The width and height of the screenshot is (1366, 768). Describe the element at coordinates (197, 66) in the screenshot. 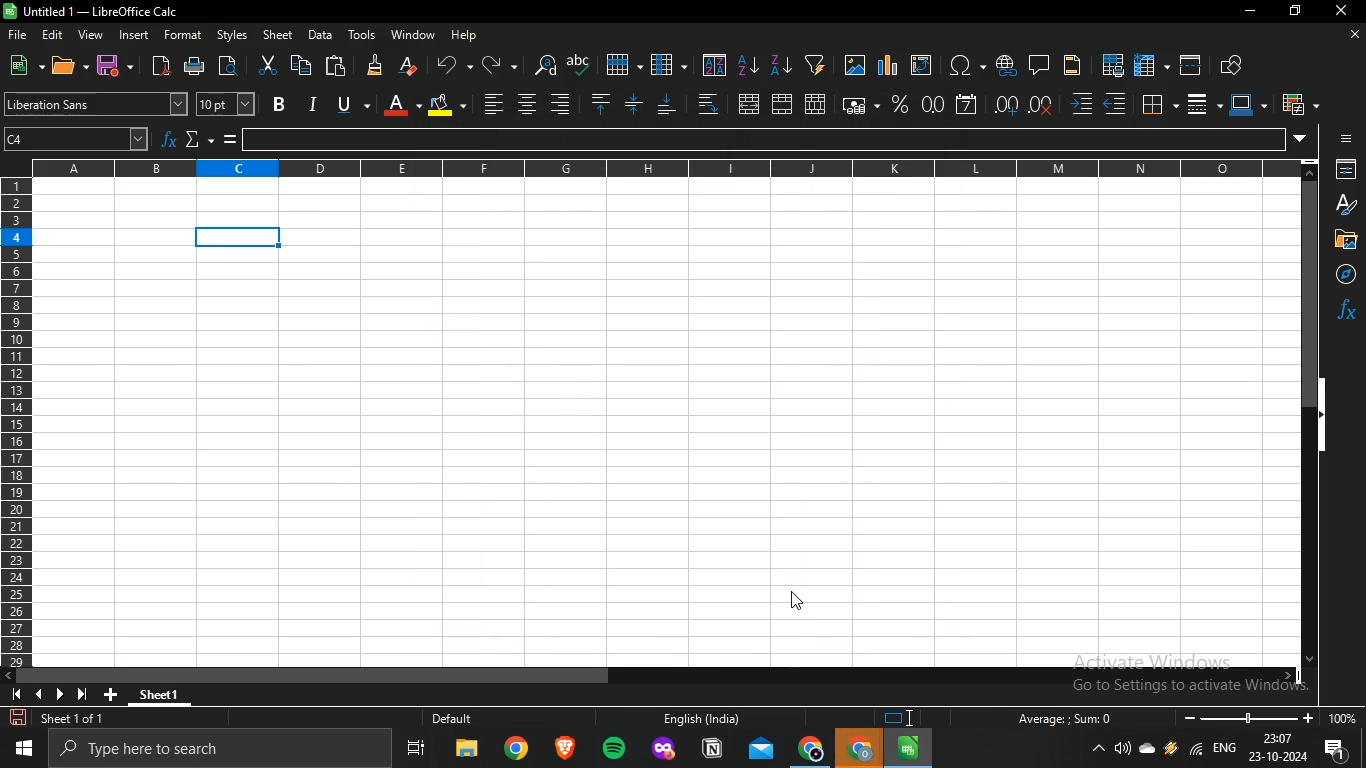

I see `print` at that location.